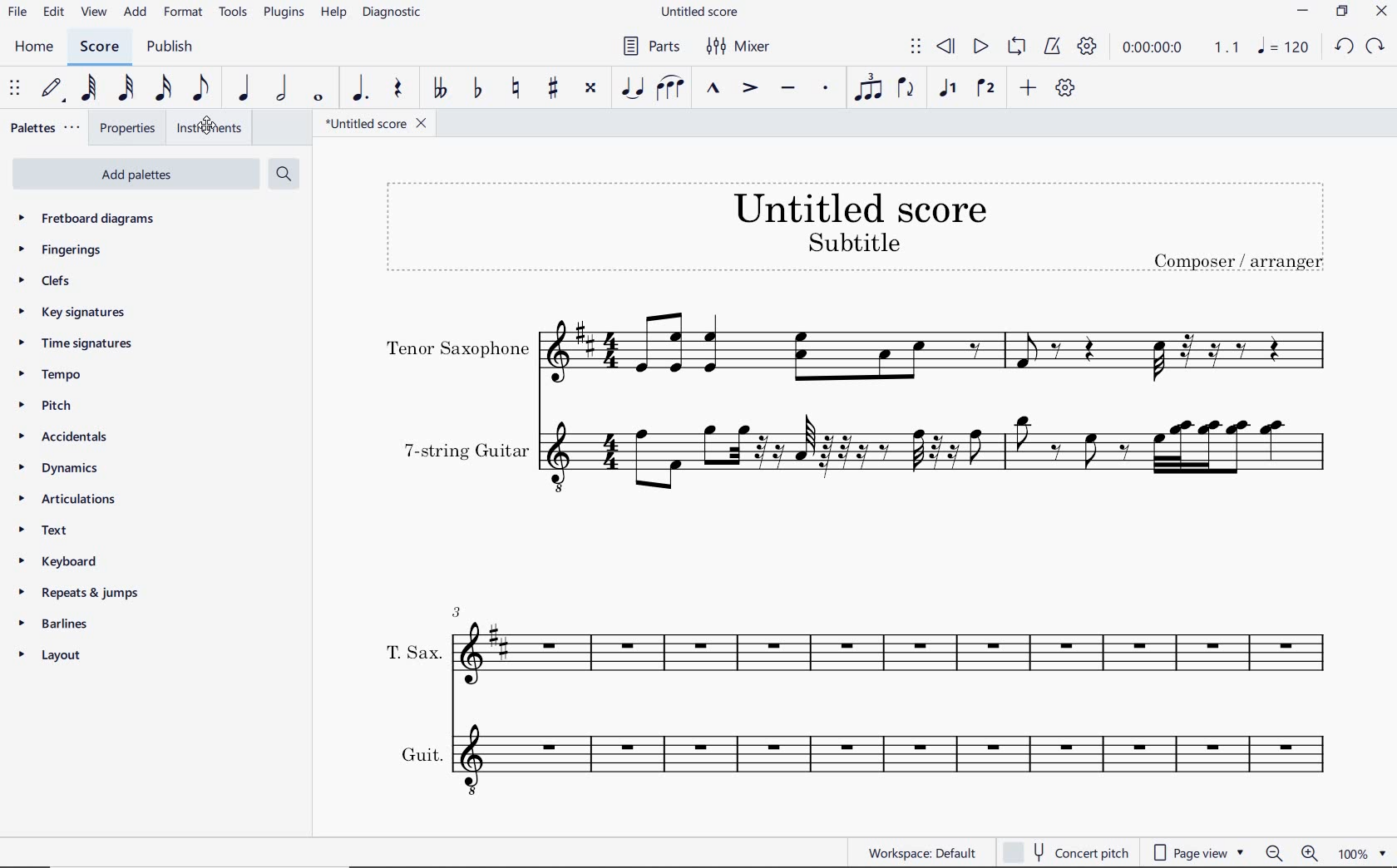  What do you see at coordinates (632, 86) in the screenshot?
I see `TIE` at bounding box center [632, 86].